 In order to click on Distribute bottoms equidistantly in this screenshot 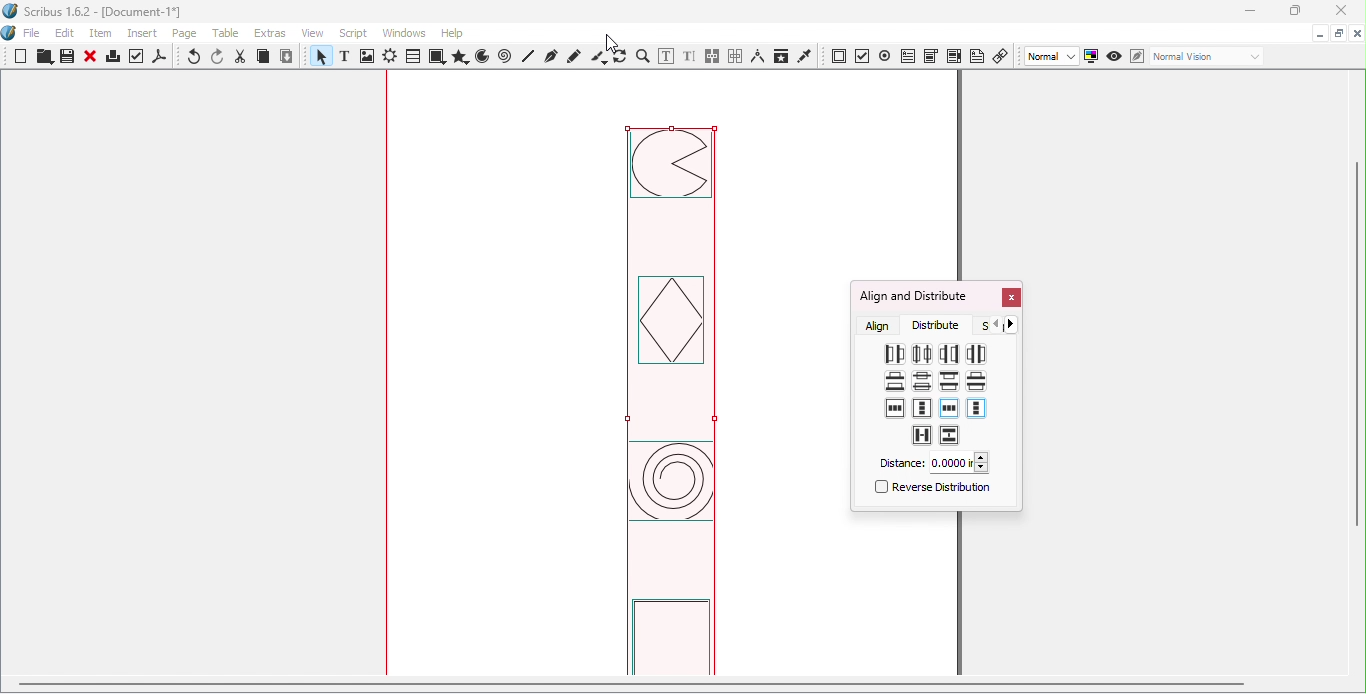, I will do `click(895, 381)`.